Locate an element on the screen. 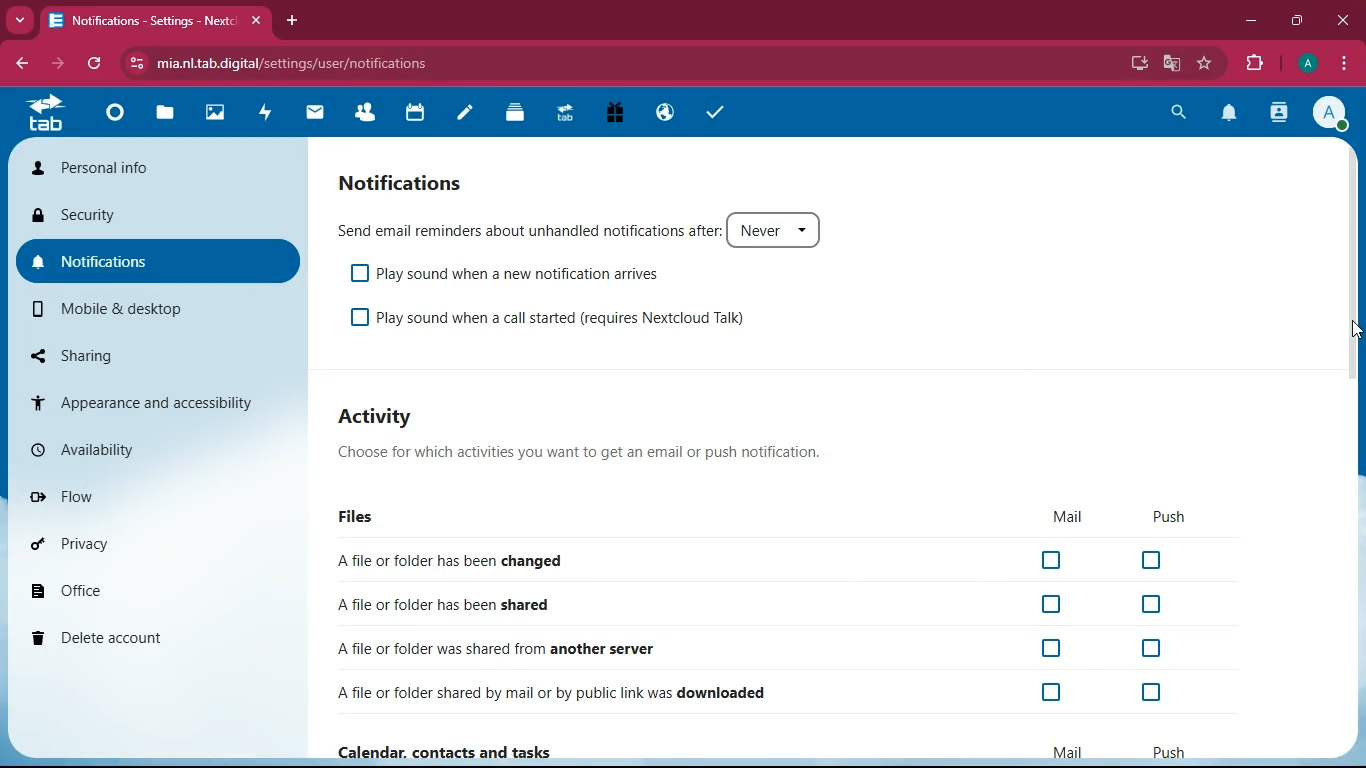 This screenshot has height=768, width=1366. Notifications - Nextcloud is located at coordinates (138, 21).